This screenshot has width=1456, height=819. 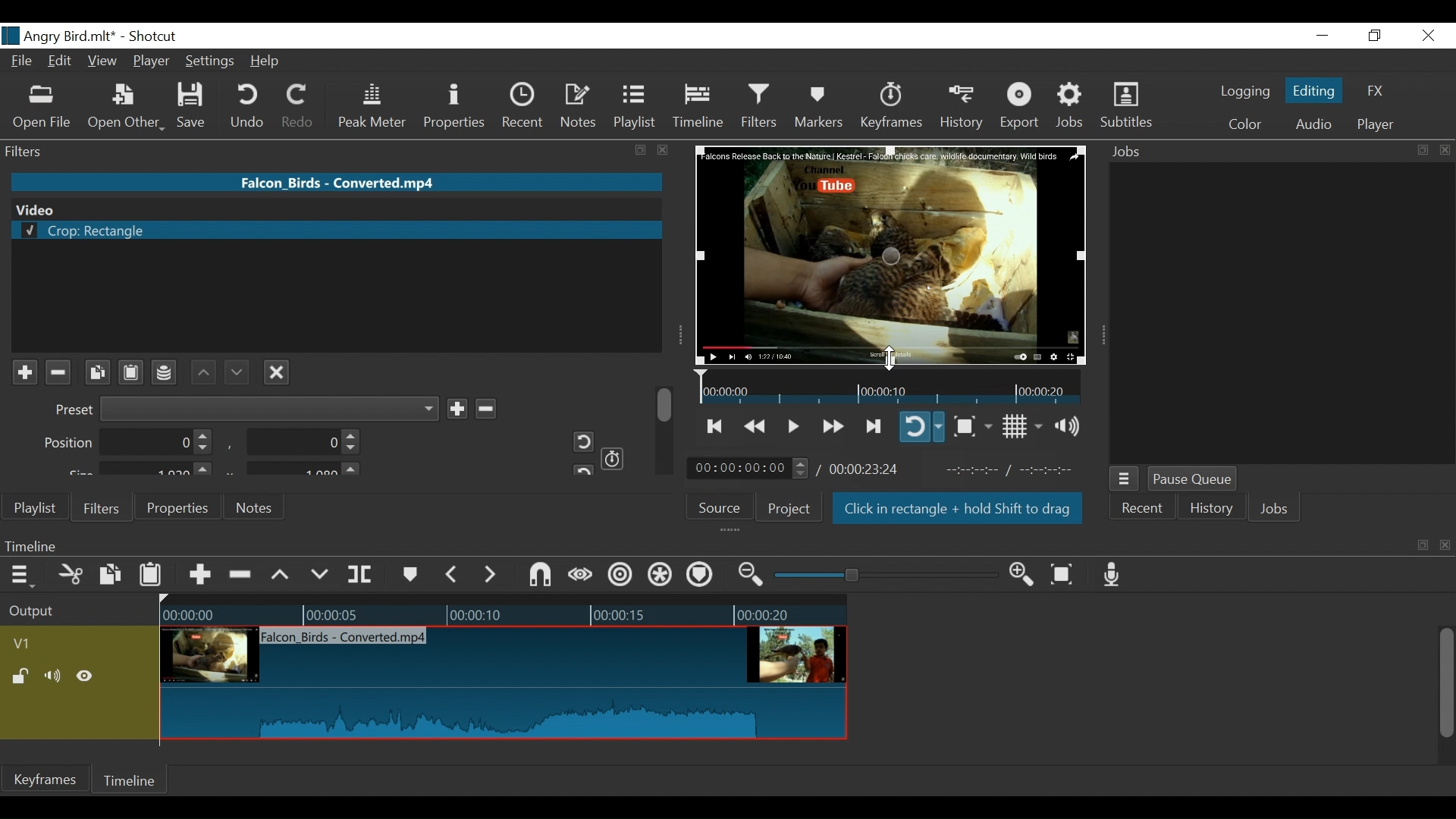 I want to click on In point, so click(x=1015, y=470).